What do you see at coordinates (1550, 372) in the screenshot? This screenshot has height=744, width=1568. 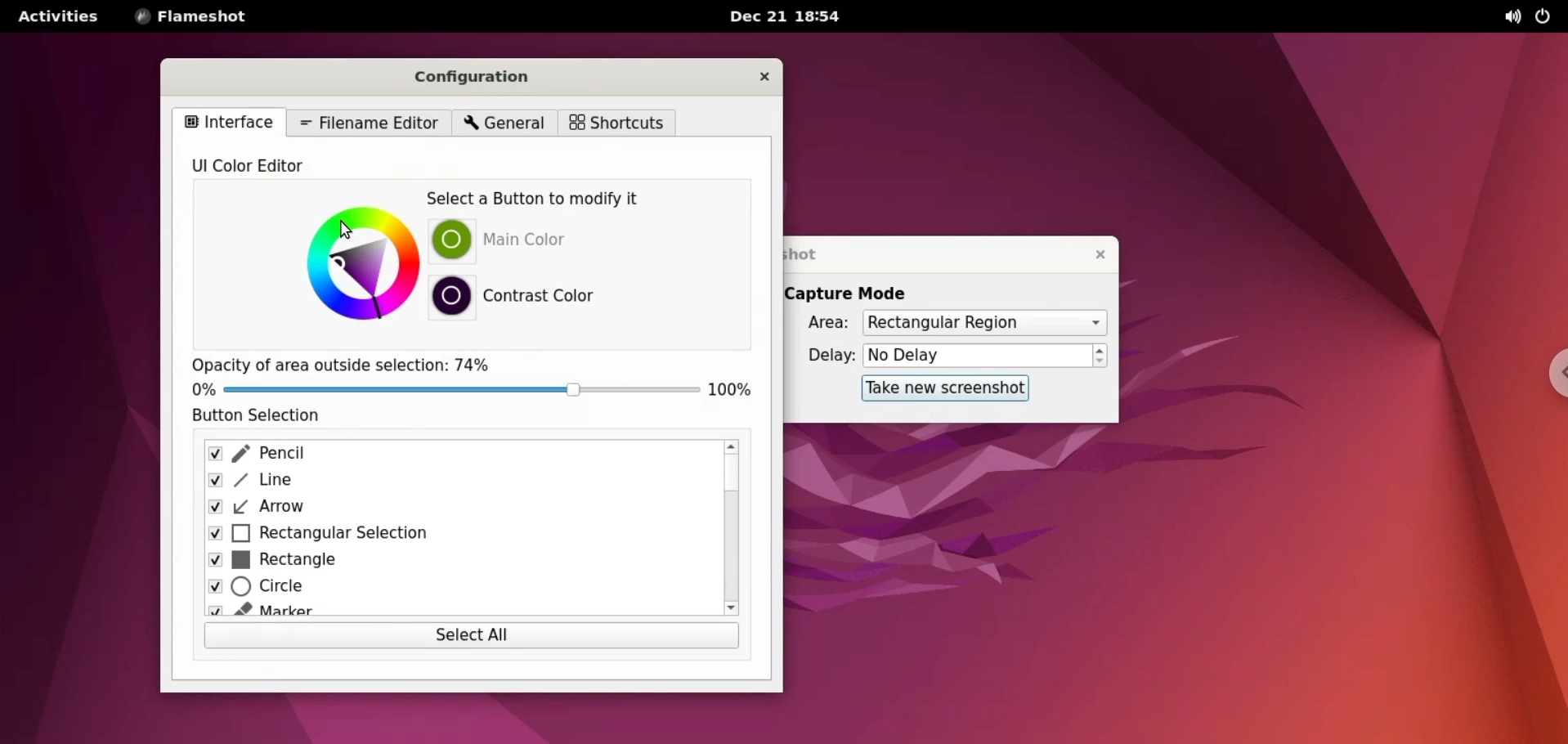 I see `chrome options` at bounding box center [1550, 372].